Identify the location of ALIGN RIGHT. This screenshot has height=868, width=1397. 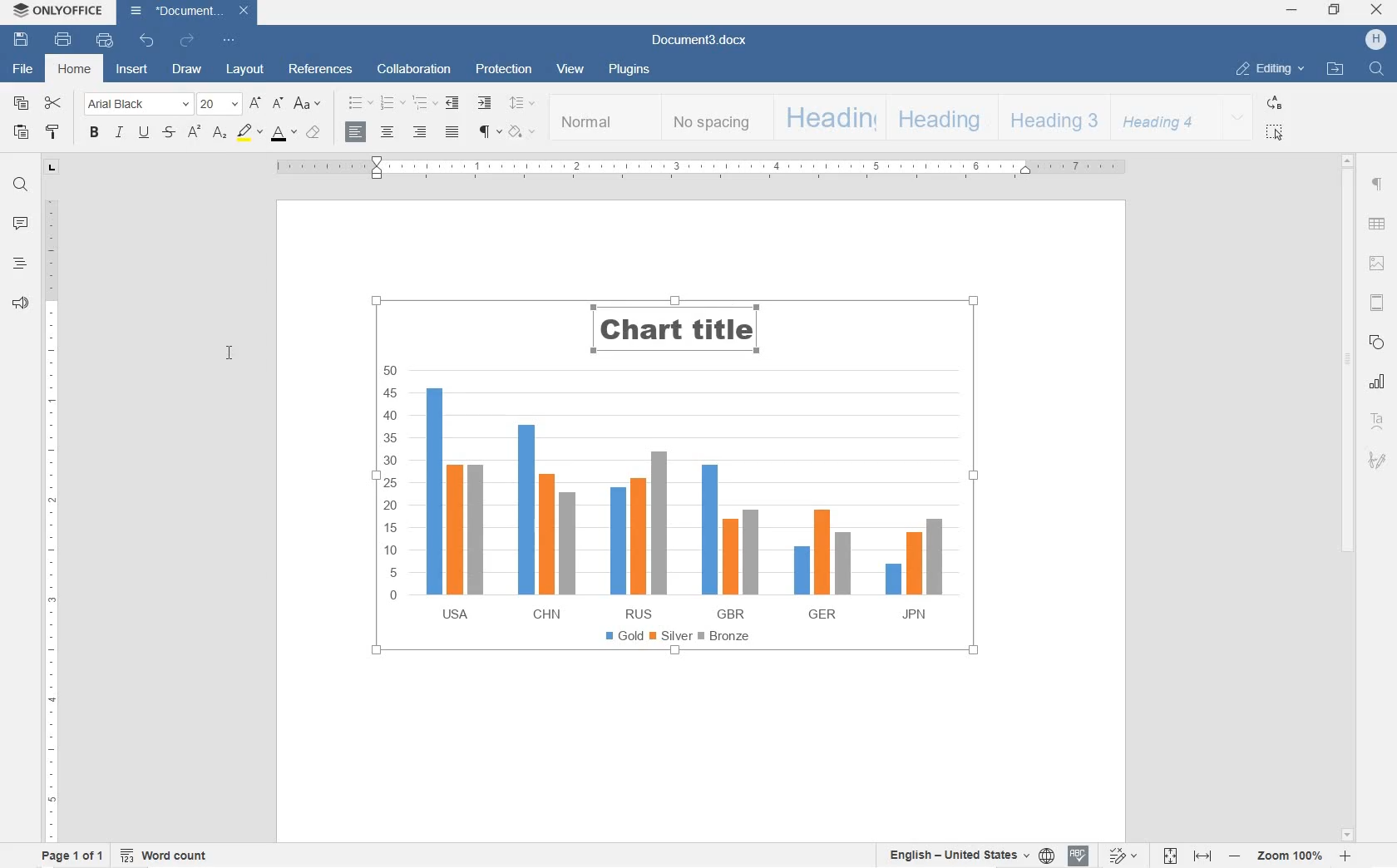
(420, 132).